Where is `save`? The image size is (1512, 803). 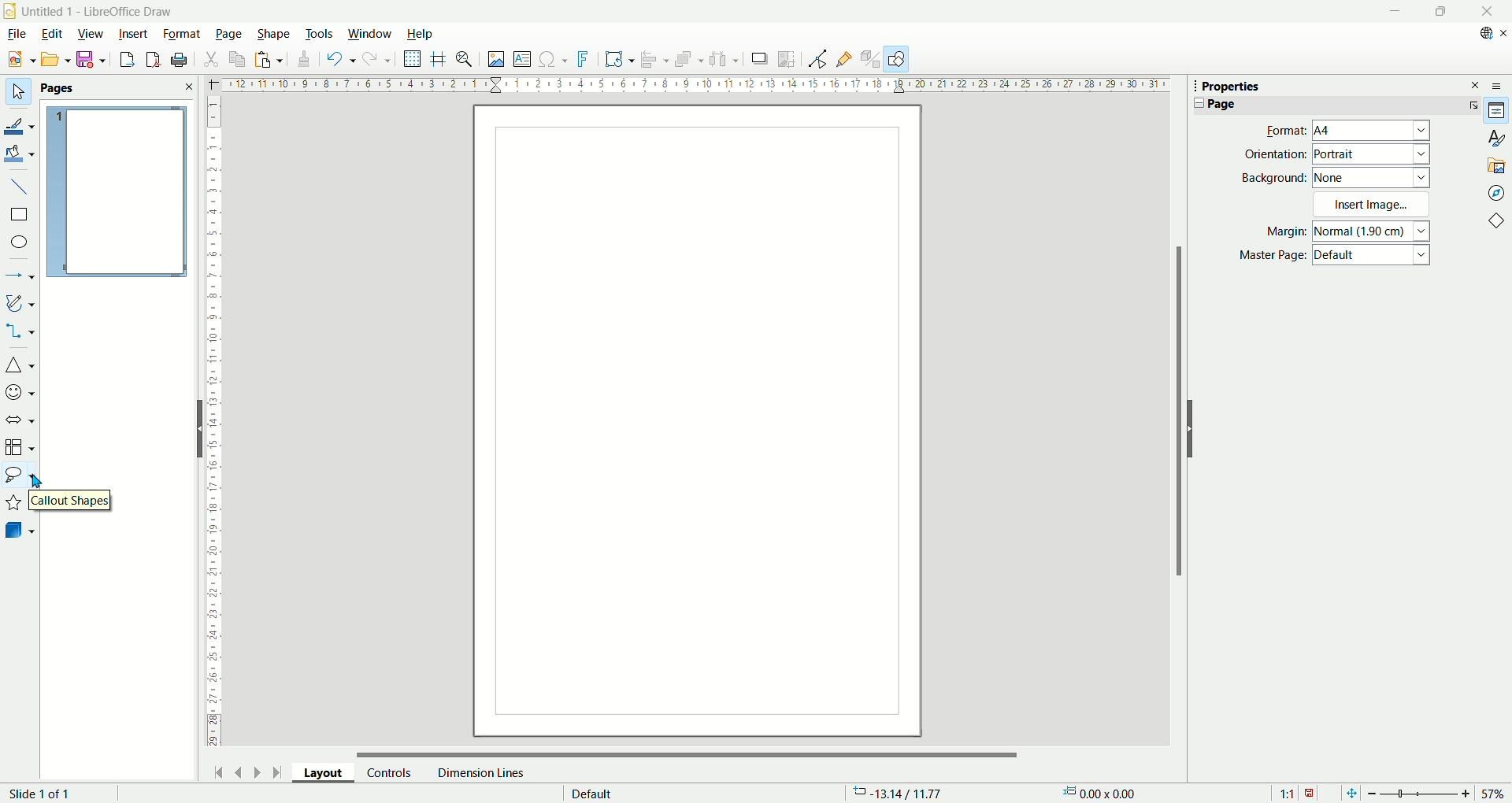
save is located at coordinates (91, 60).